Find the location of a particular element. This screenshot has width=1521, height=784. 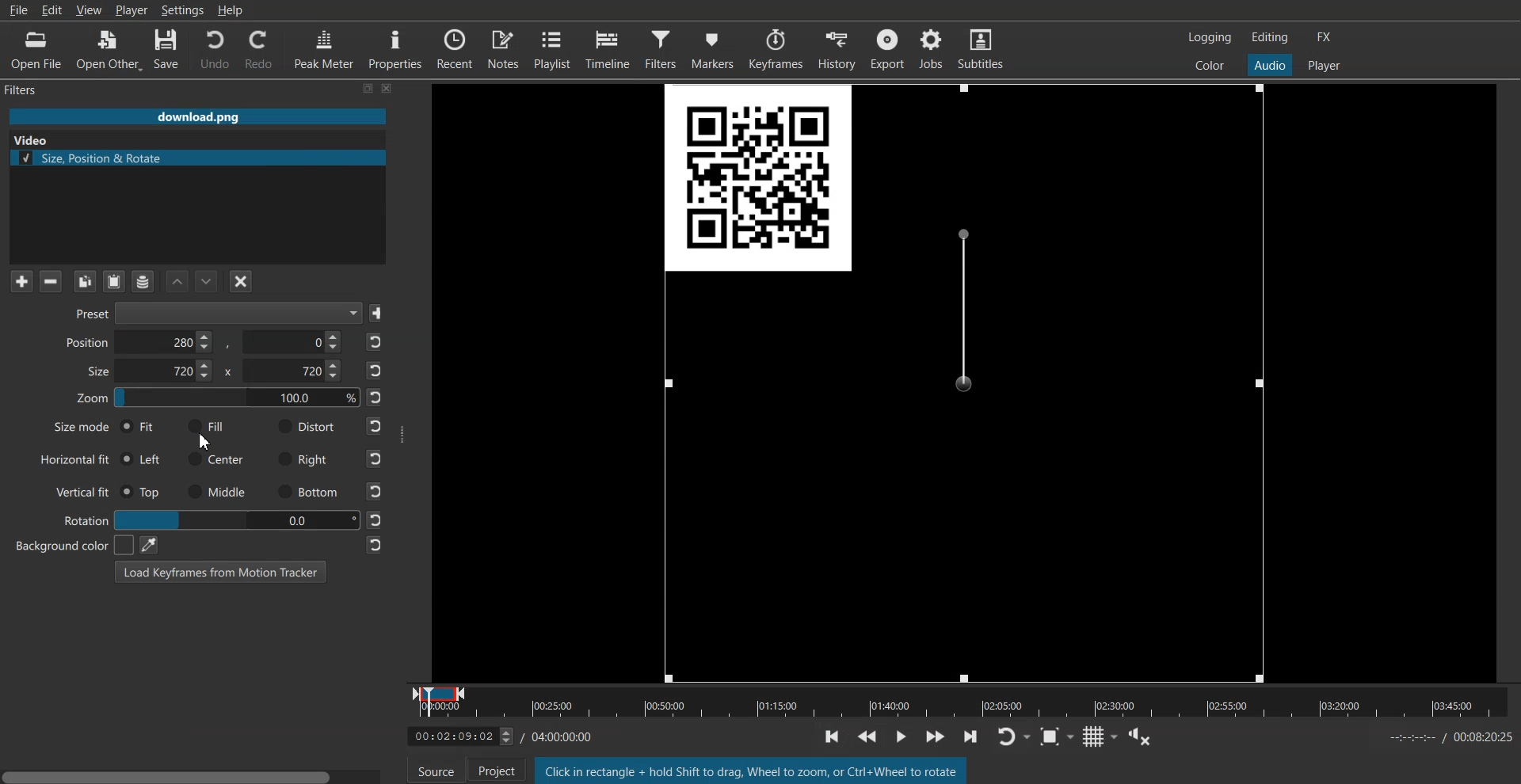

Toggle Zoom is located at coordinates (1050, 739).